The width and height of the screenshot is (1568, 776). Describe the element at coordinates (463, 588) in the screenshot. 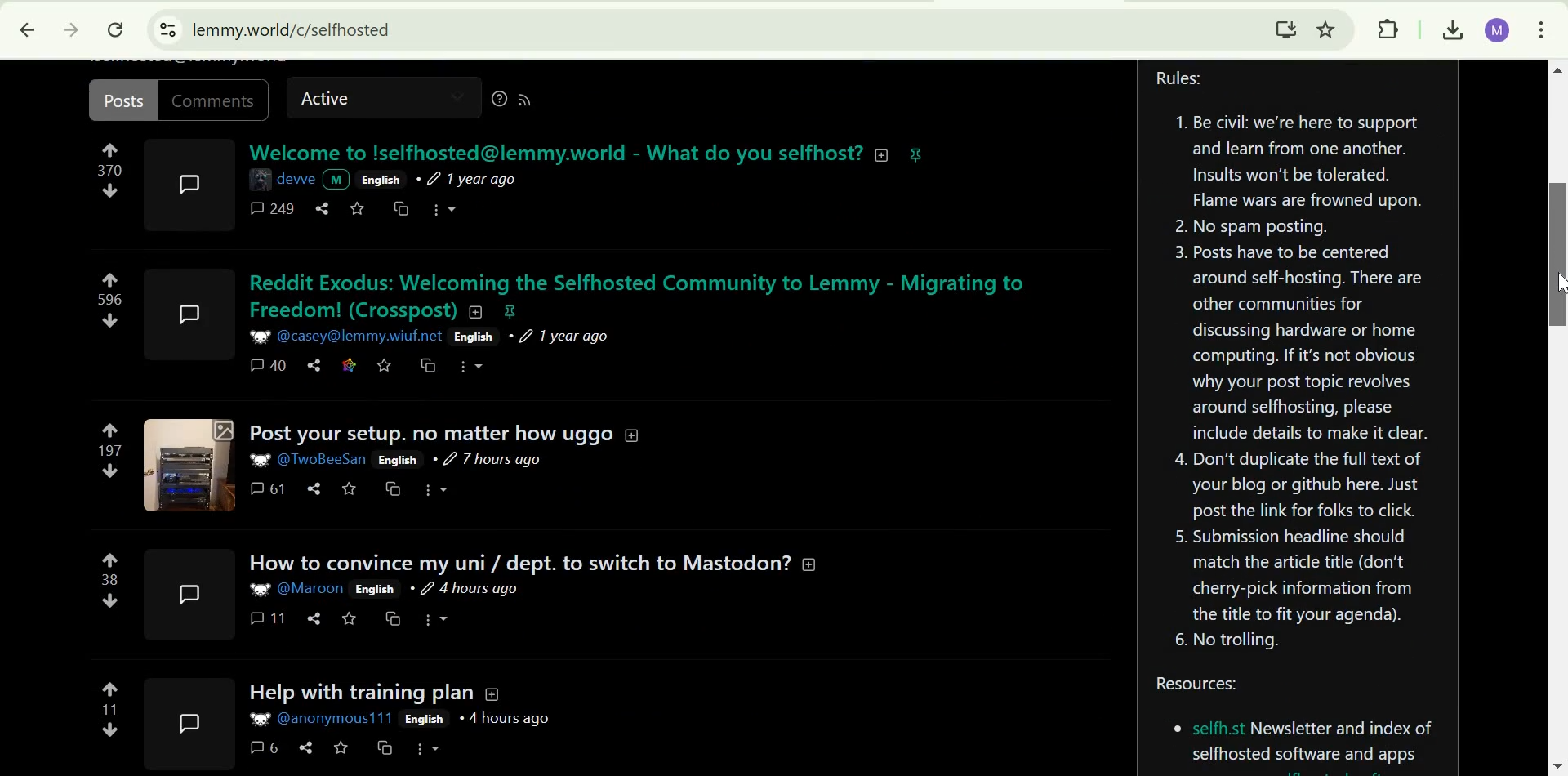

I see `4 hours ago` at that location.